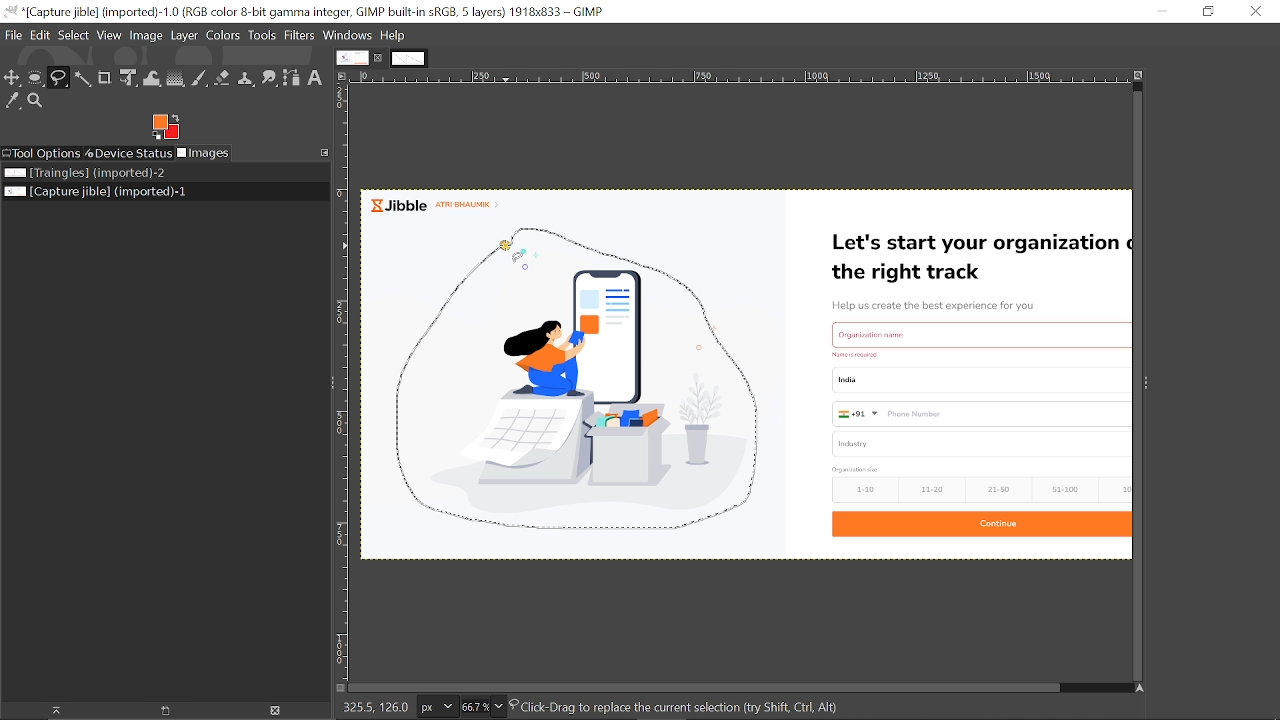  What do you see at coordinates (246, 78) in the screenshot?
I see `Clone tool` at bounding box center [246, 78].